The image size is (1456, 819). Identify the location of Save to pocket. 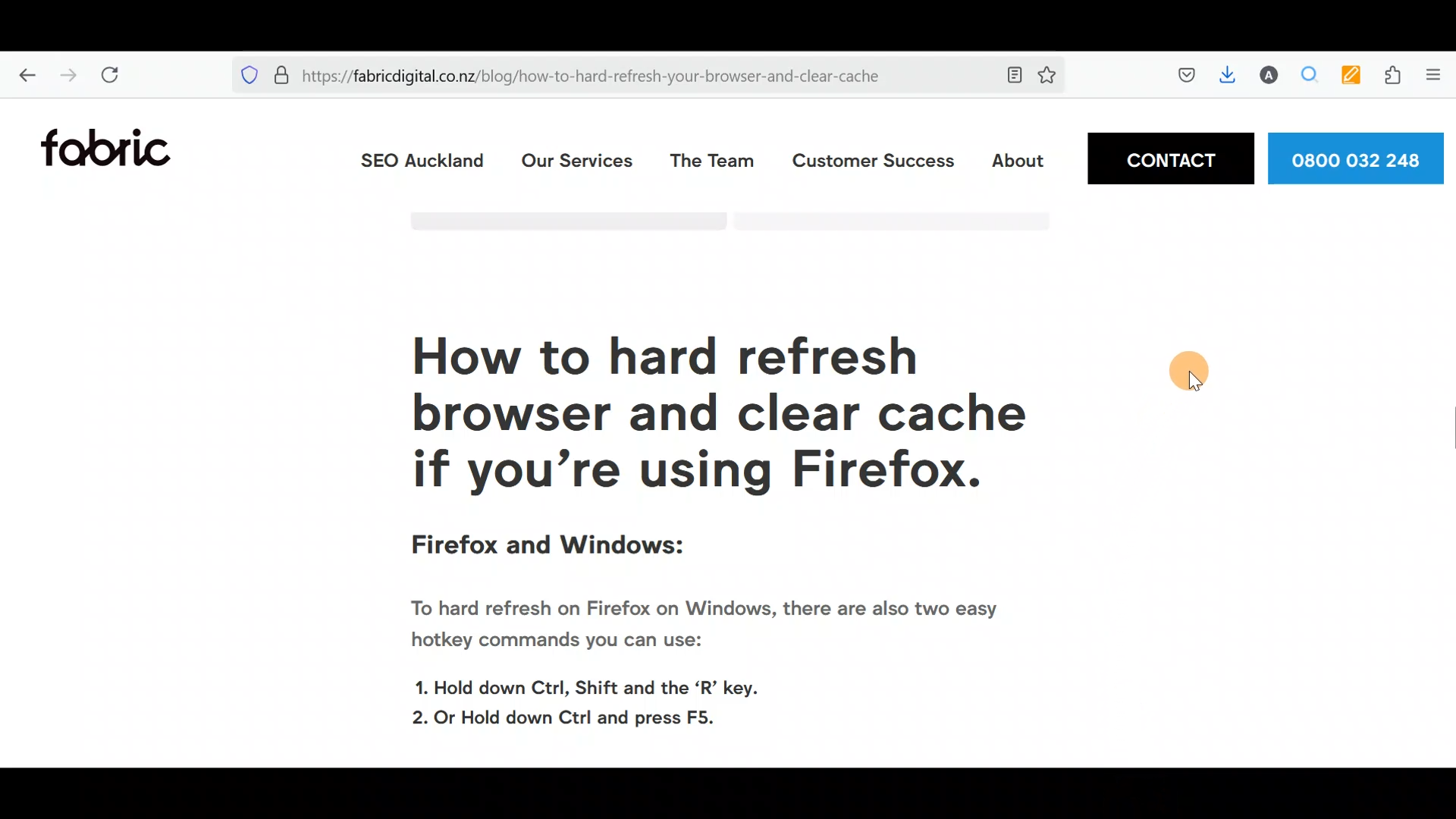
(1184, 77).